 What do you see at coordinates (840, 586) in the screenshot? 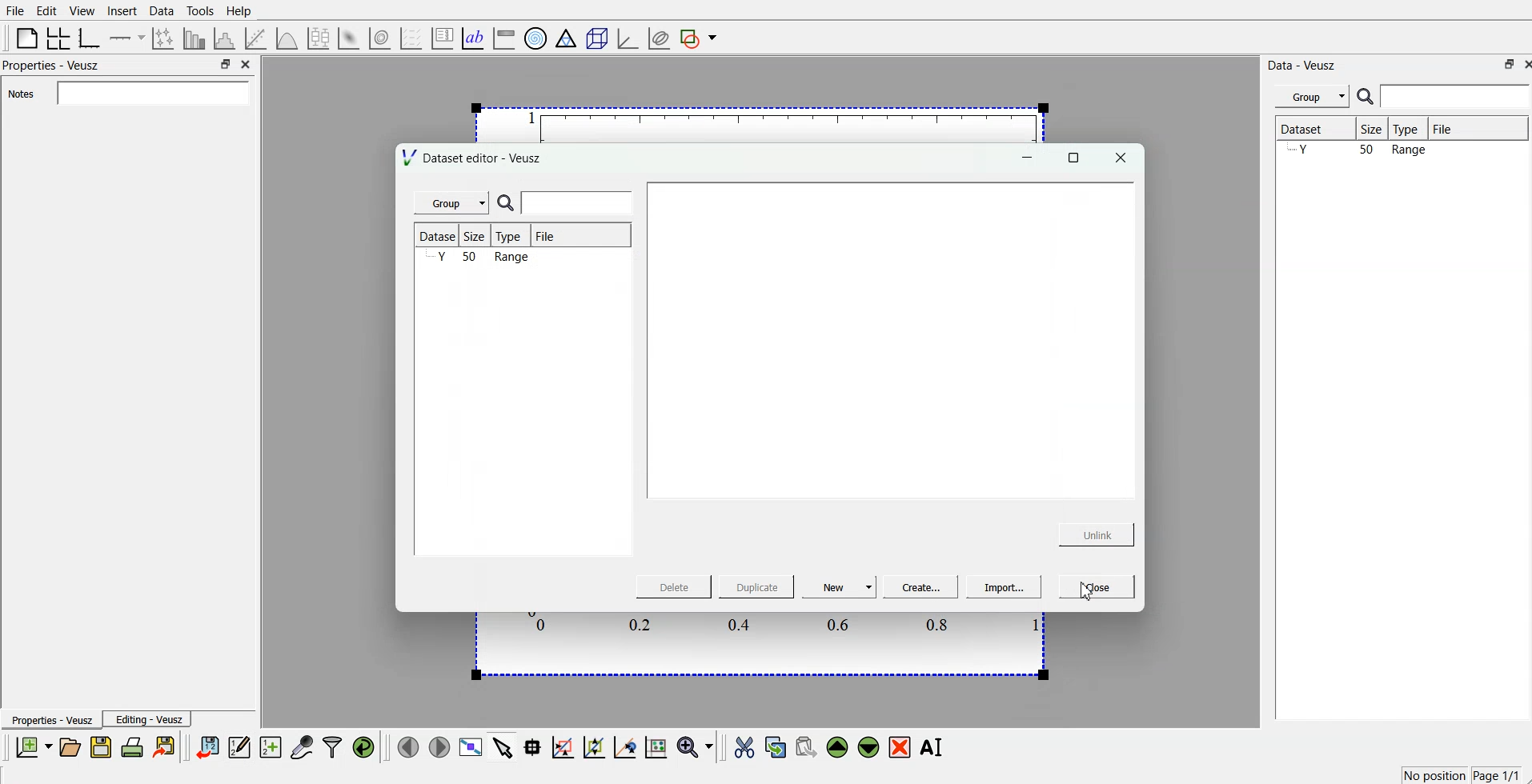
I see `New` at bounding box center [840, 586].